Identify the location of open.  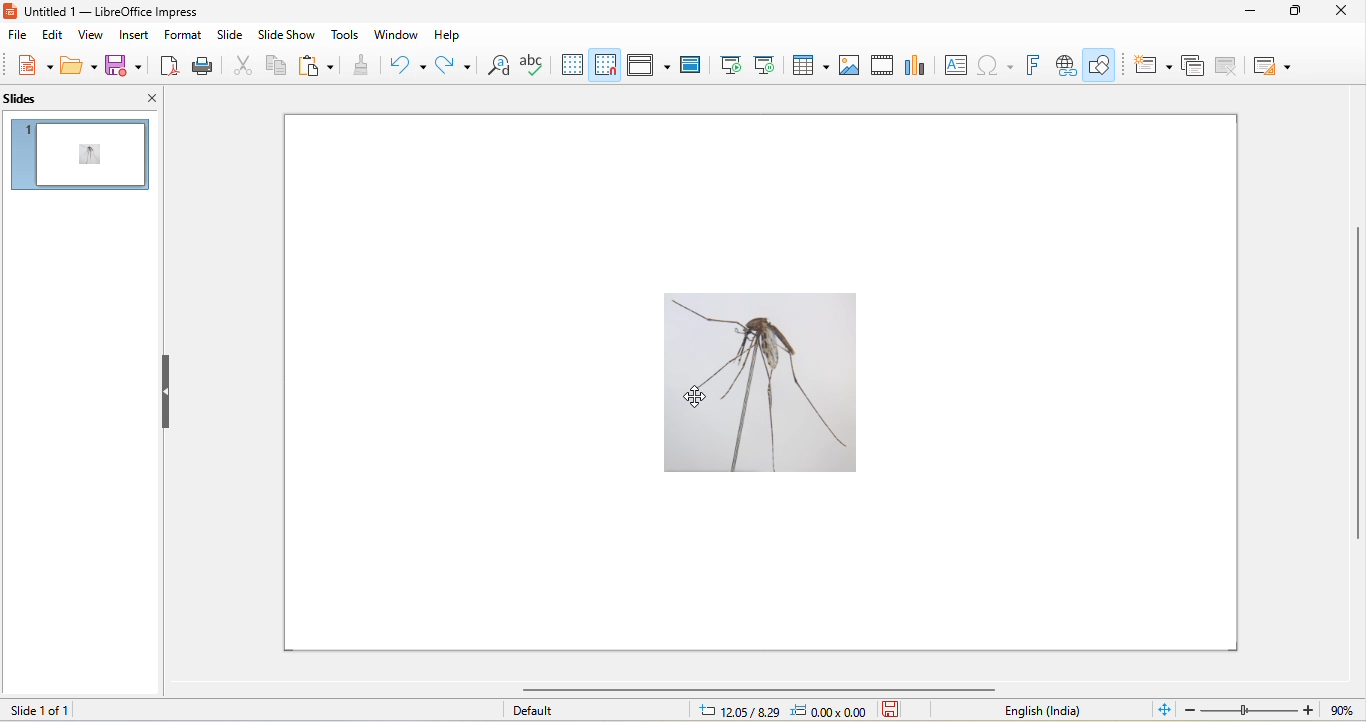
(79, 65).